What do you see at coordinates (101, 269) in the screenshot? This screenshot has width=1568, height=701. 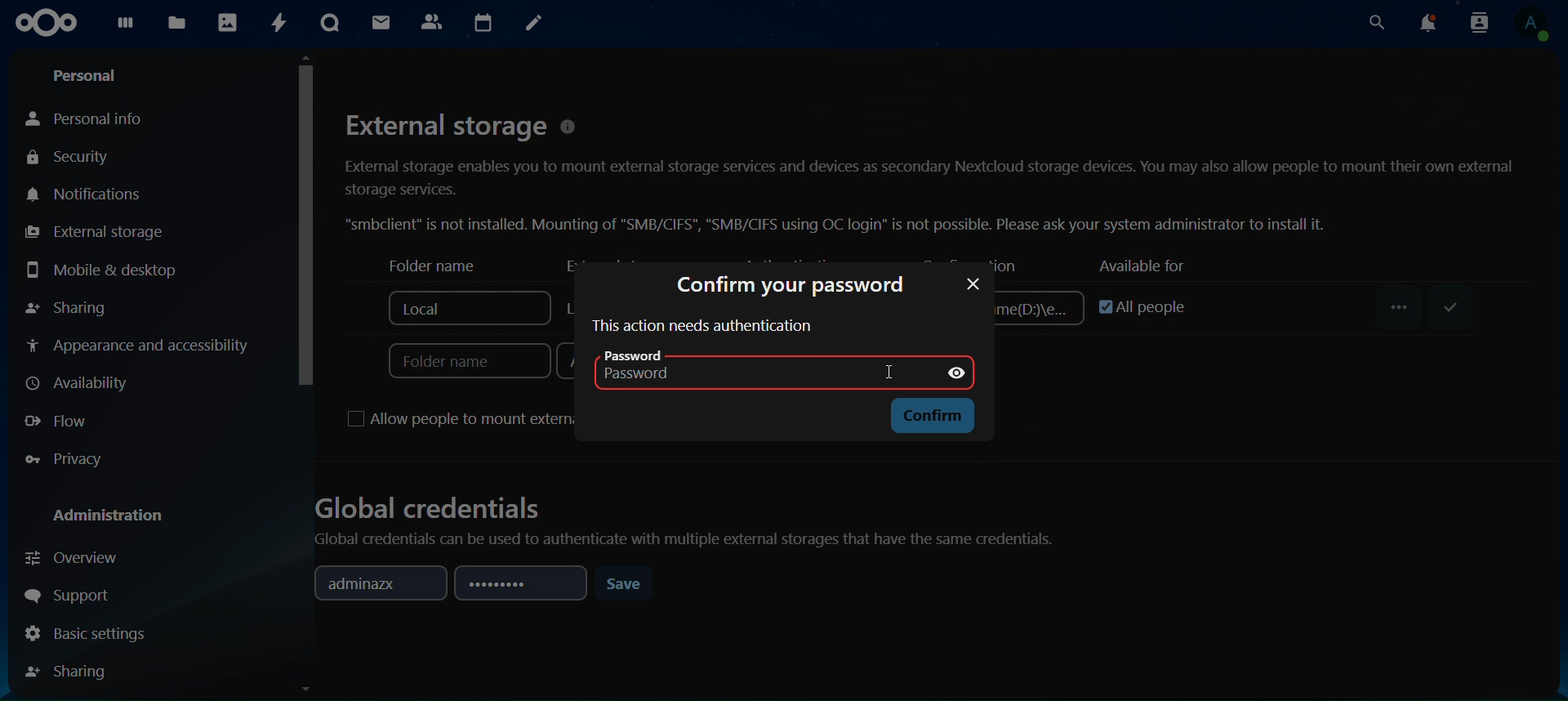 I see `mobile & desktop` at bounding box center [101, 269].